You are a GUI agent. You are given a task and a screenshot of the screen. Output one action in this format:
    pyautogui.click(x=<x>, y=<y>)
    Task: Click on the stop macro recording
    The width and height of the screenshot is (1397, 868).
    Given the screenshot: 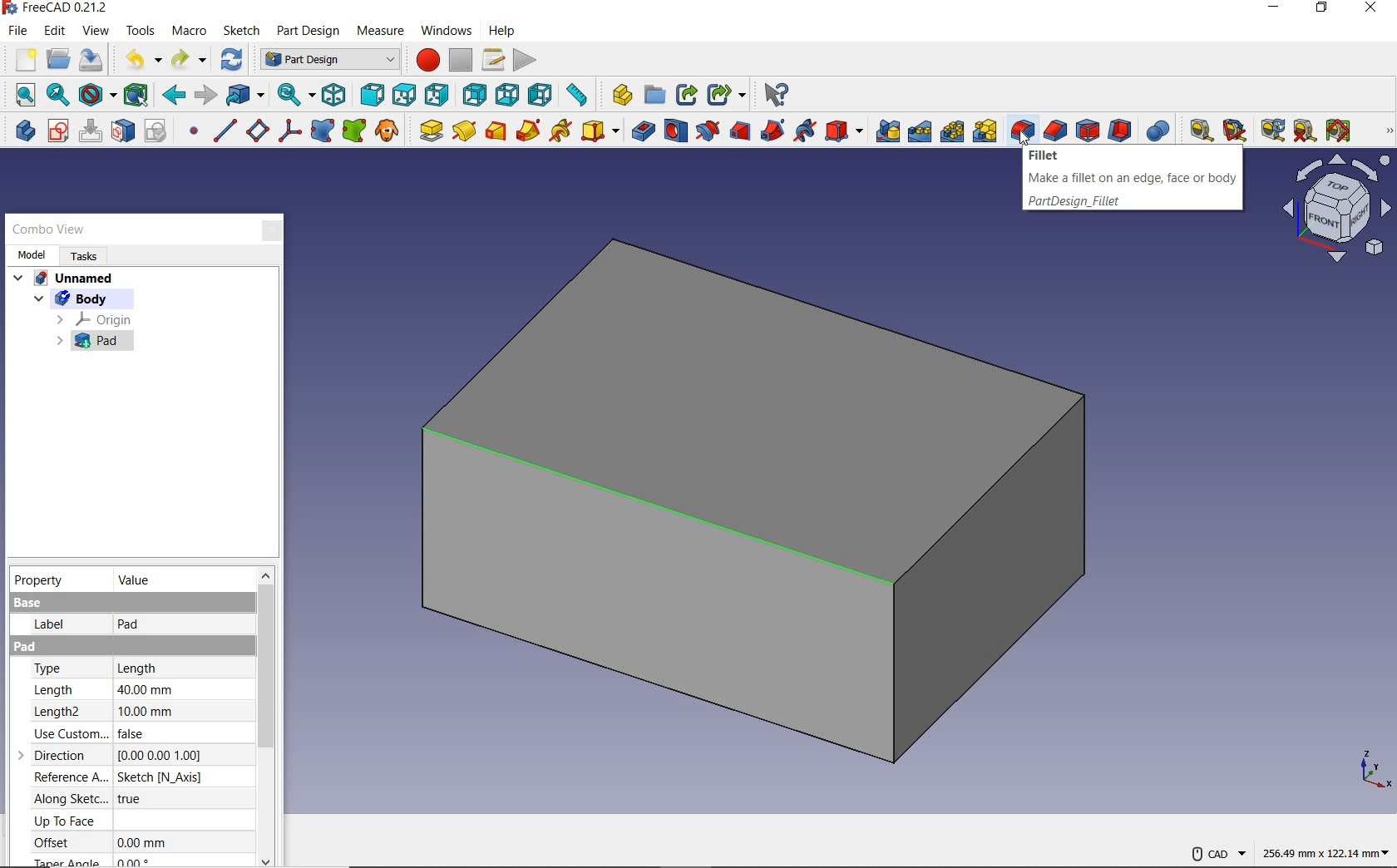 What is the action you would take?
    pyautogui.click(x=462, y=58)
    